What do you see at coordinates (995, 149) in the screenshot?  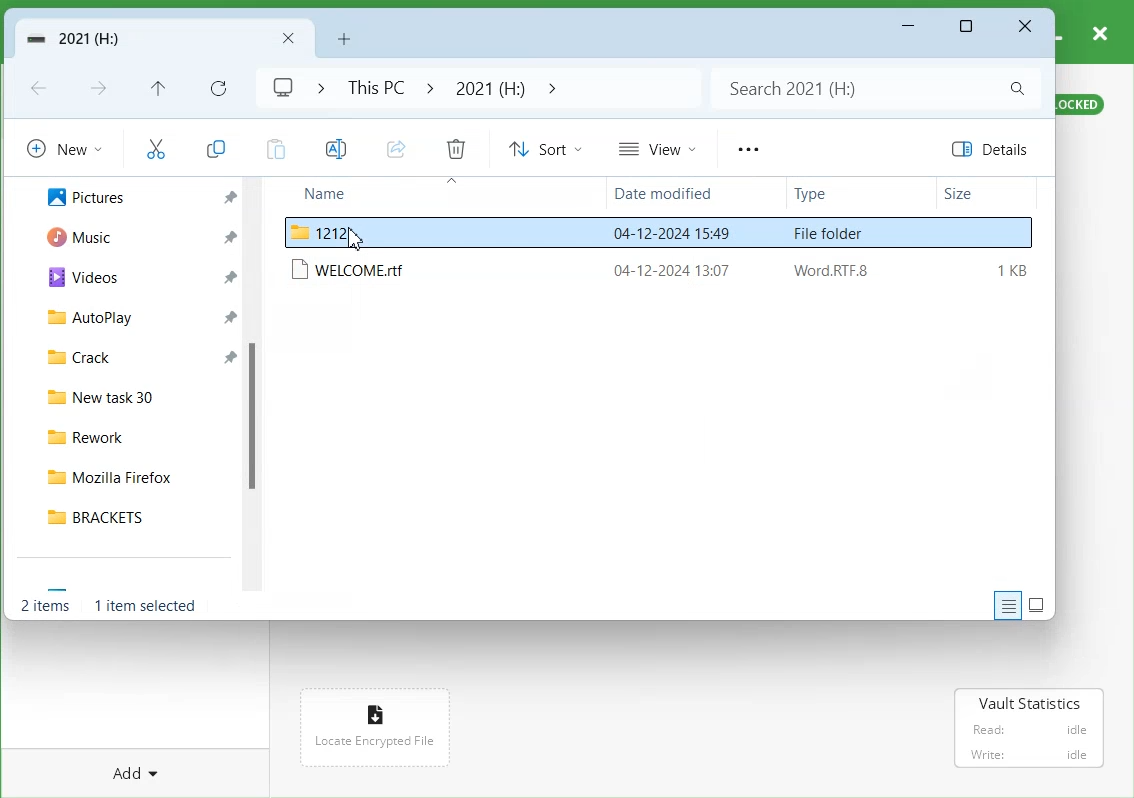 I see `Details` at bounding box center [995, 149].